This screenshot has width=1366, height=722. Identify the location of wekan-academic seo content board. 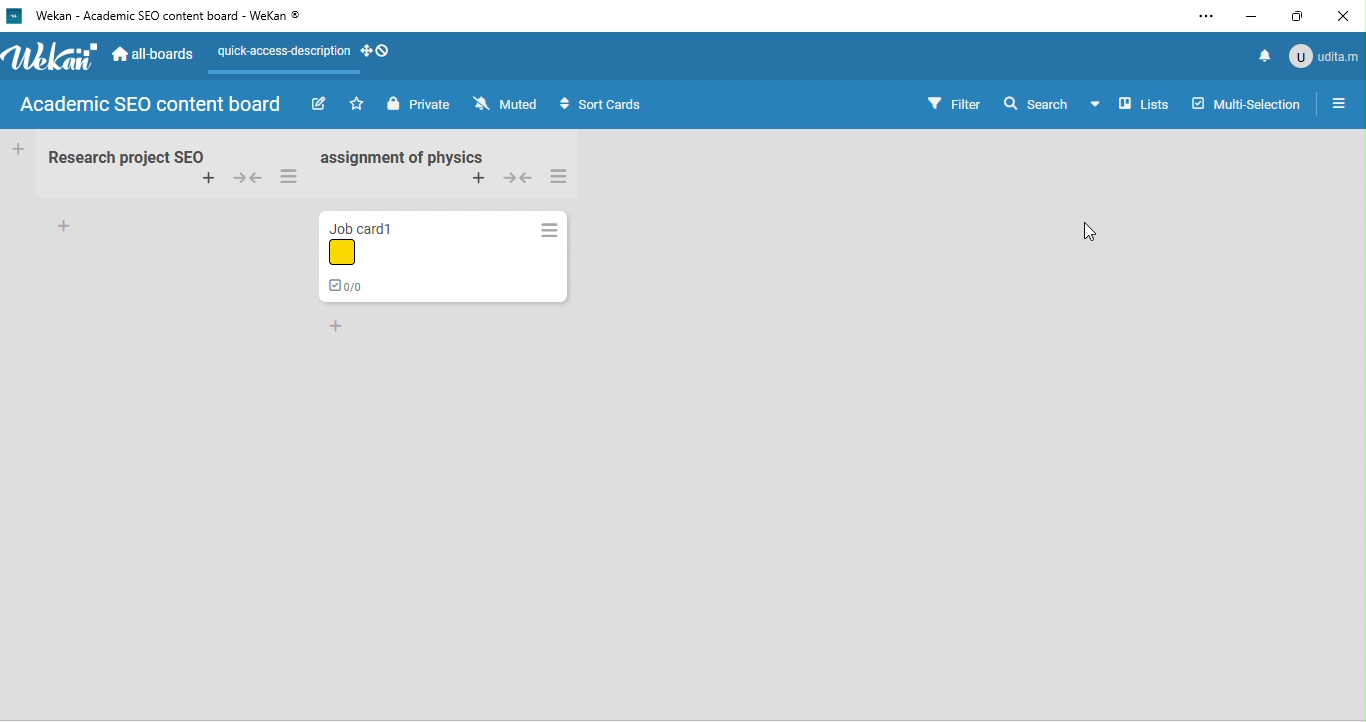
(160, 17).